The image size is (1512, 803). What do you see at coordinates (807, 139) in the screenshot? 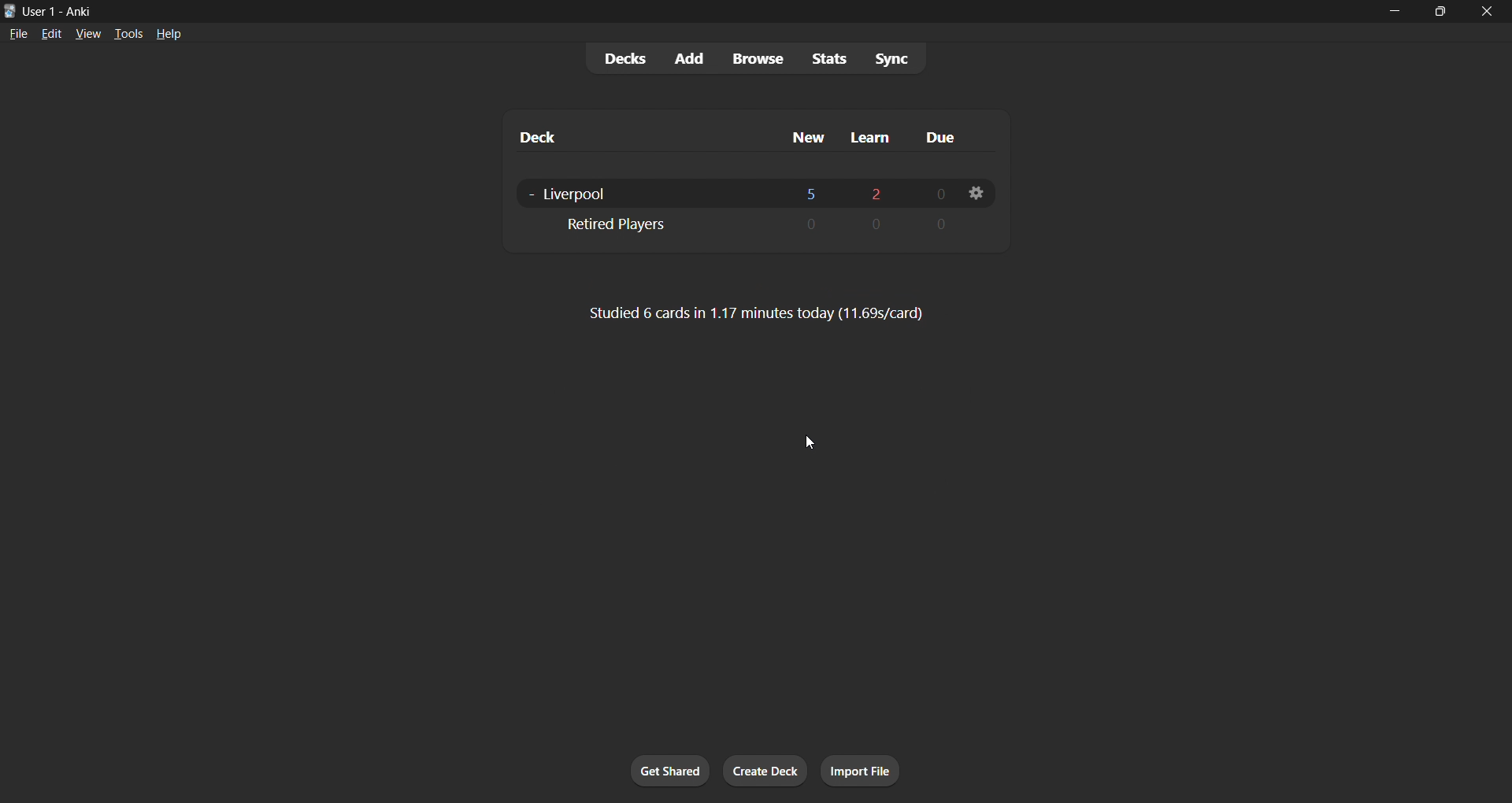
I see `new cards column` at bounding box center [807, 139].